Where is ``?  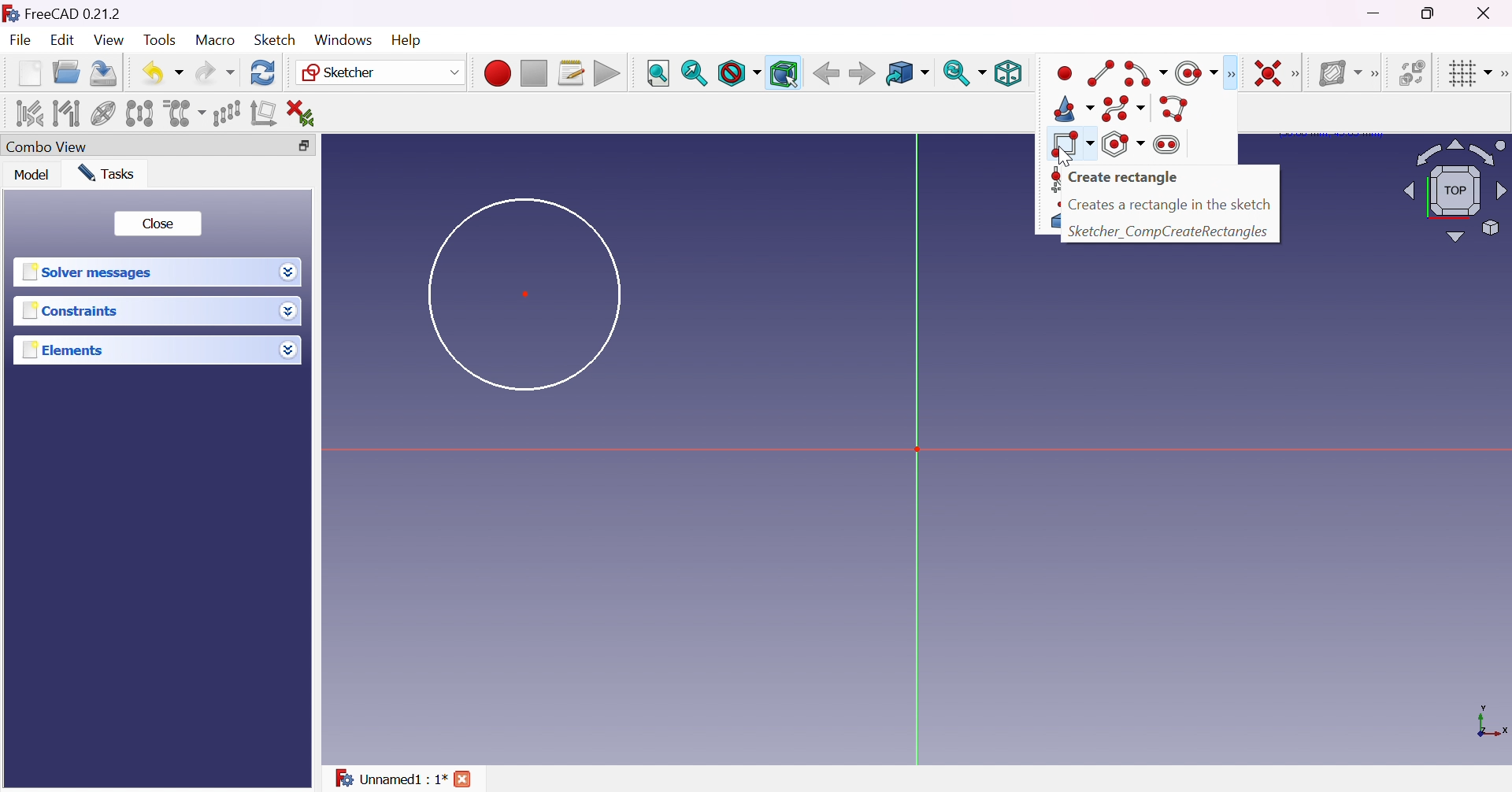  is located at coordinates (965, 74).